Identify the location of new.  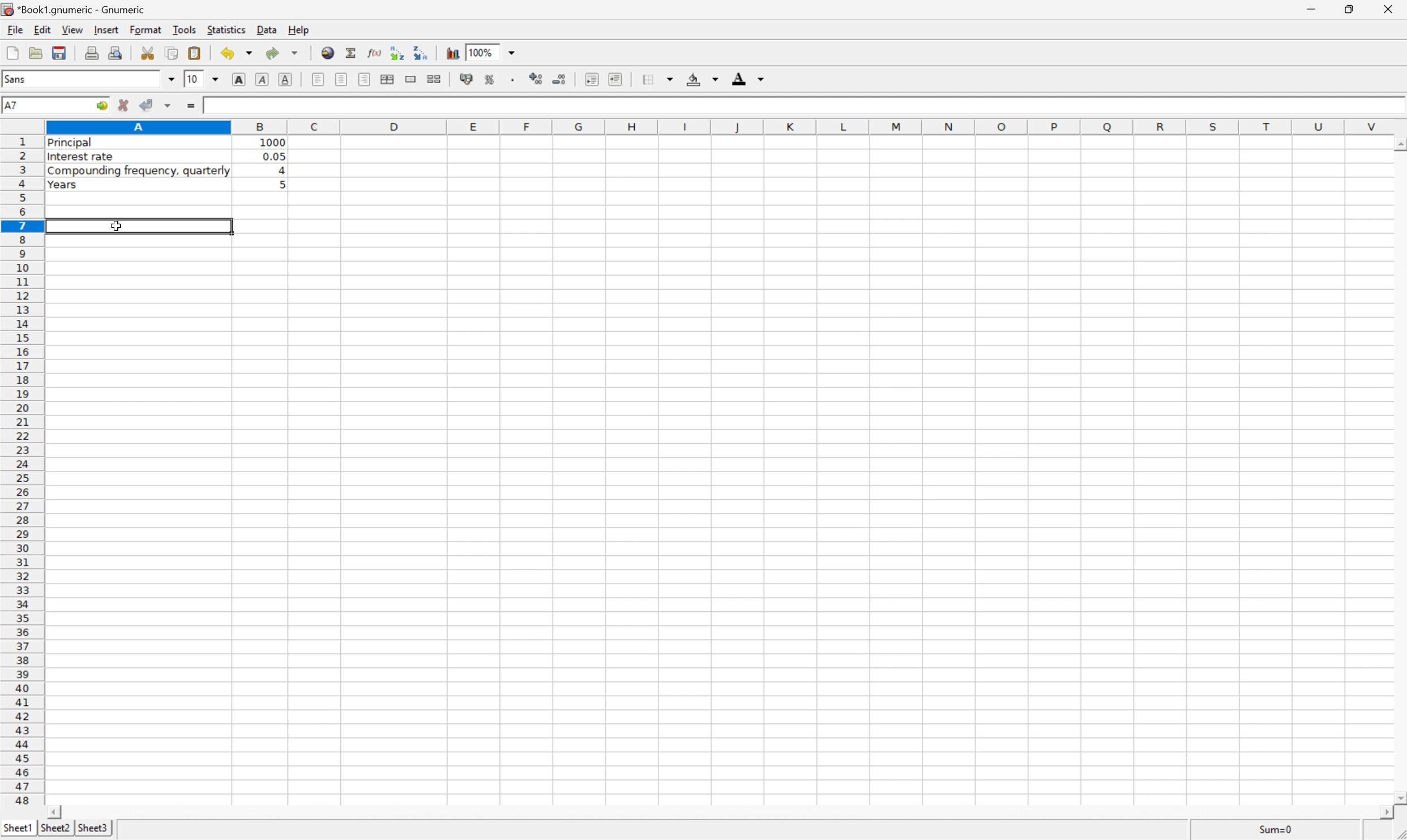
(11, 52).